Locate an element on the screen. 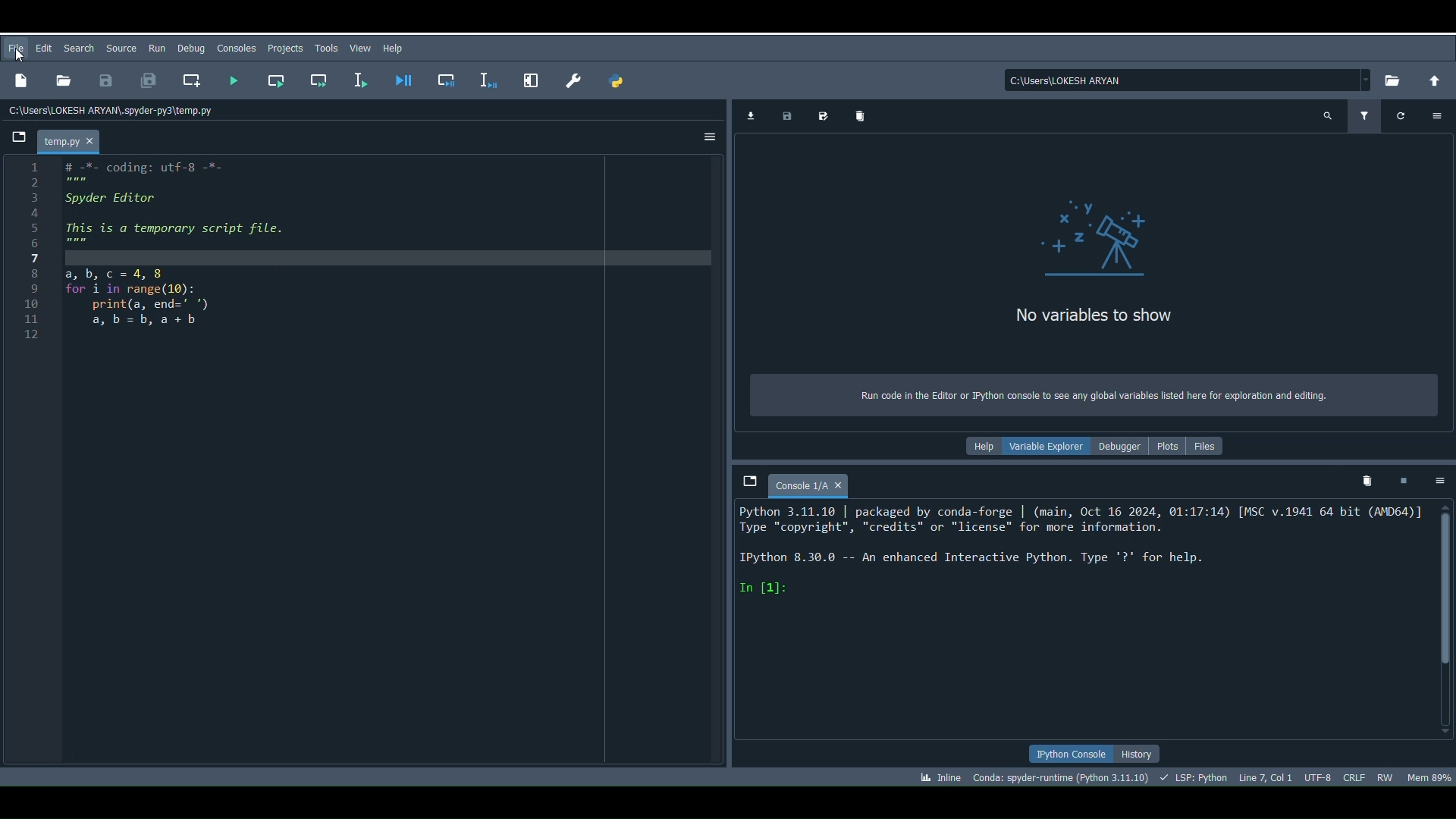 This screenshot has width=1456, height=819. Run current cell and go to the next one (Shift + Return) is located at coordinates (324, 80).